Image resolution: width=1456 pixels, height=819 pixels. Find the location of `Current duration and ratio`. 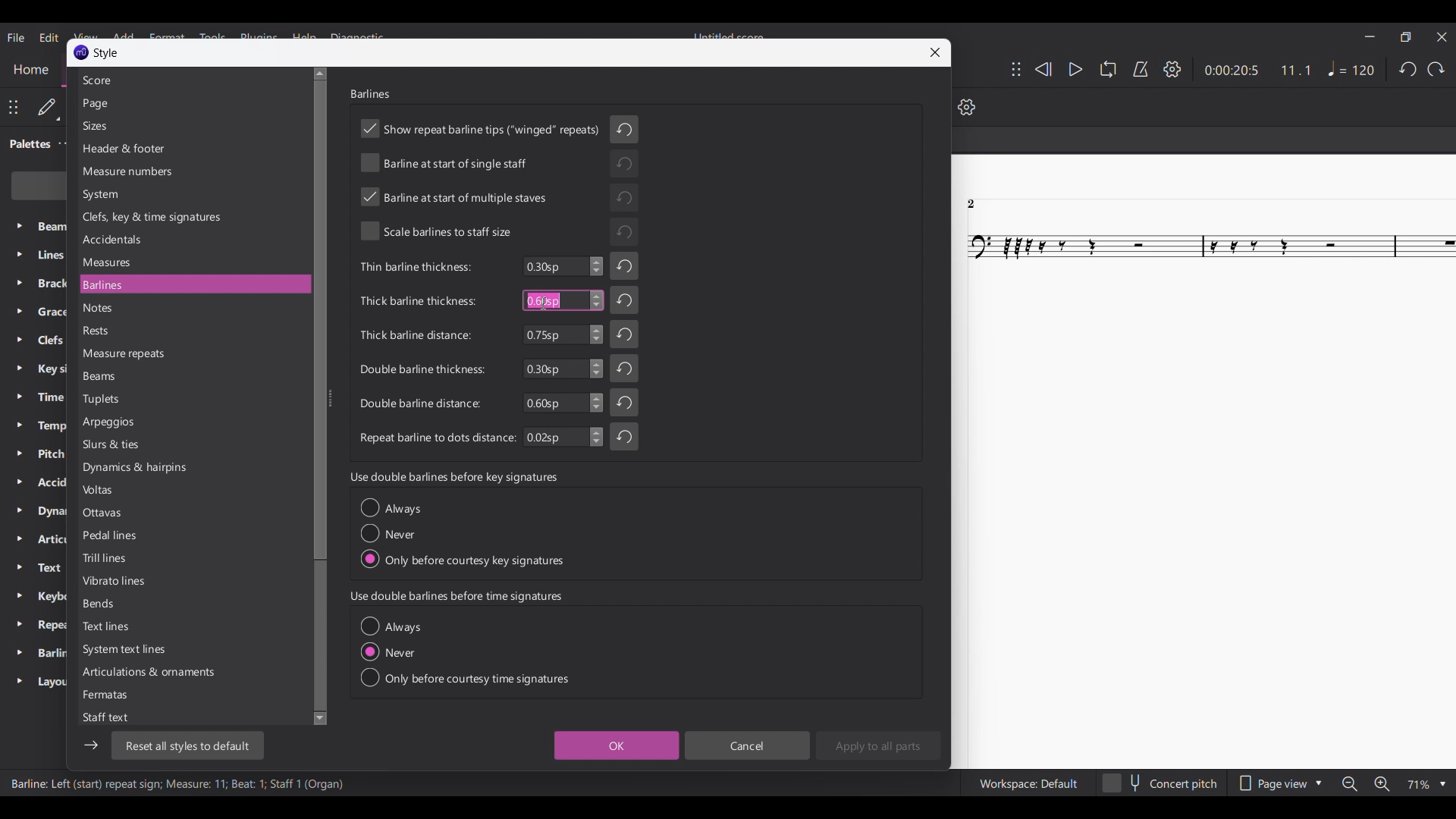

Current duration and ratio is located at coordinates (1258, 71).